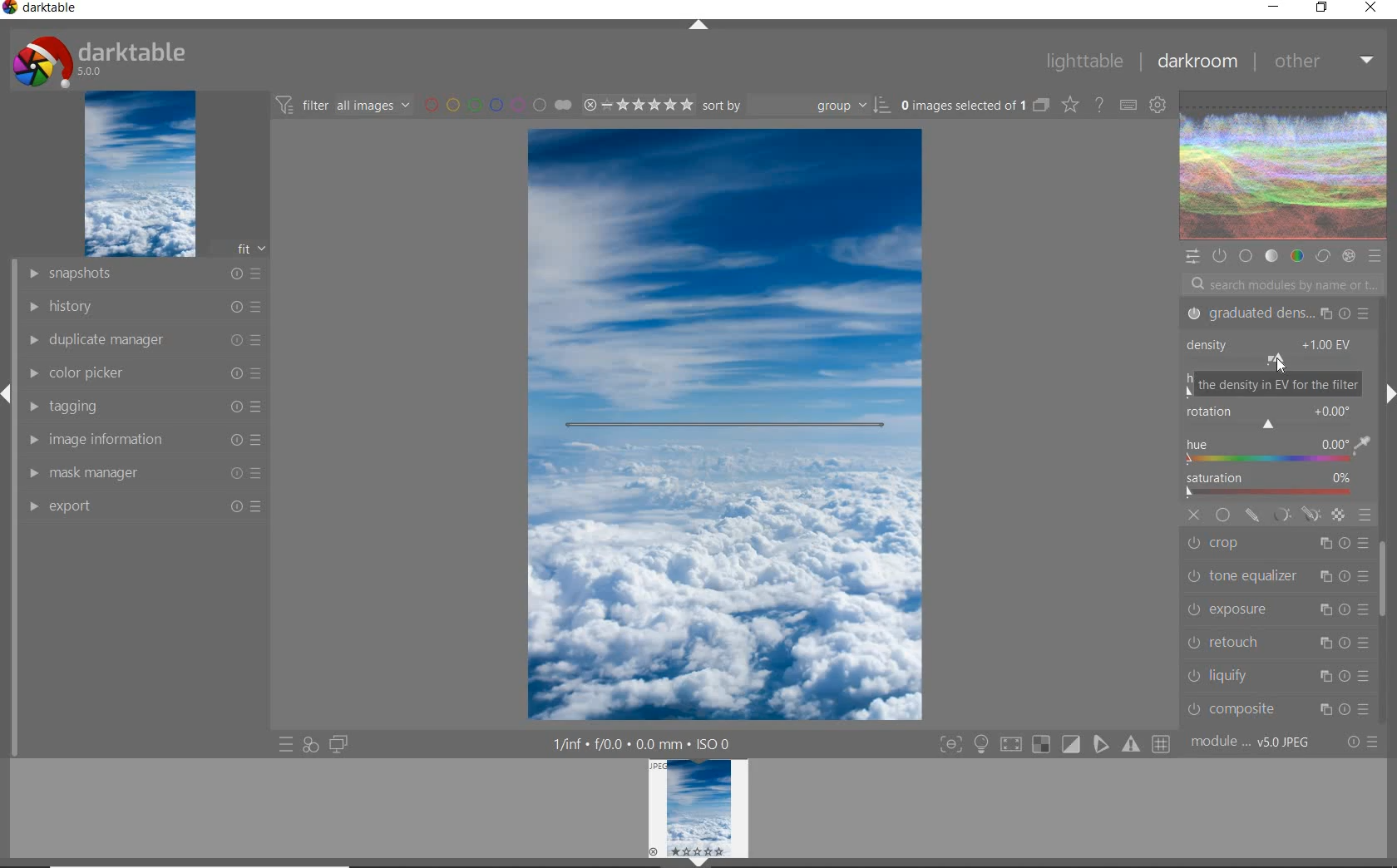 The image size is (1397, 868). Describe the element at coordinates (310, 745) in the screenshot. I see `QUICK ACCESS FOR APLYING ANY OF YOUR STYLES` at that location.